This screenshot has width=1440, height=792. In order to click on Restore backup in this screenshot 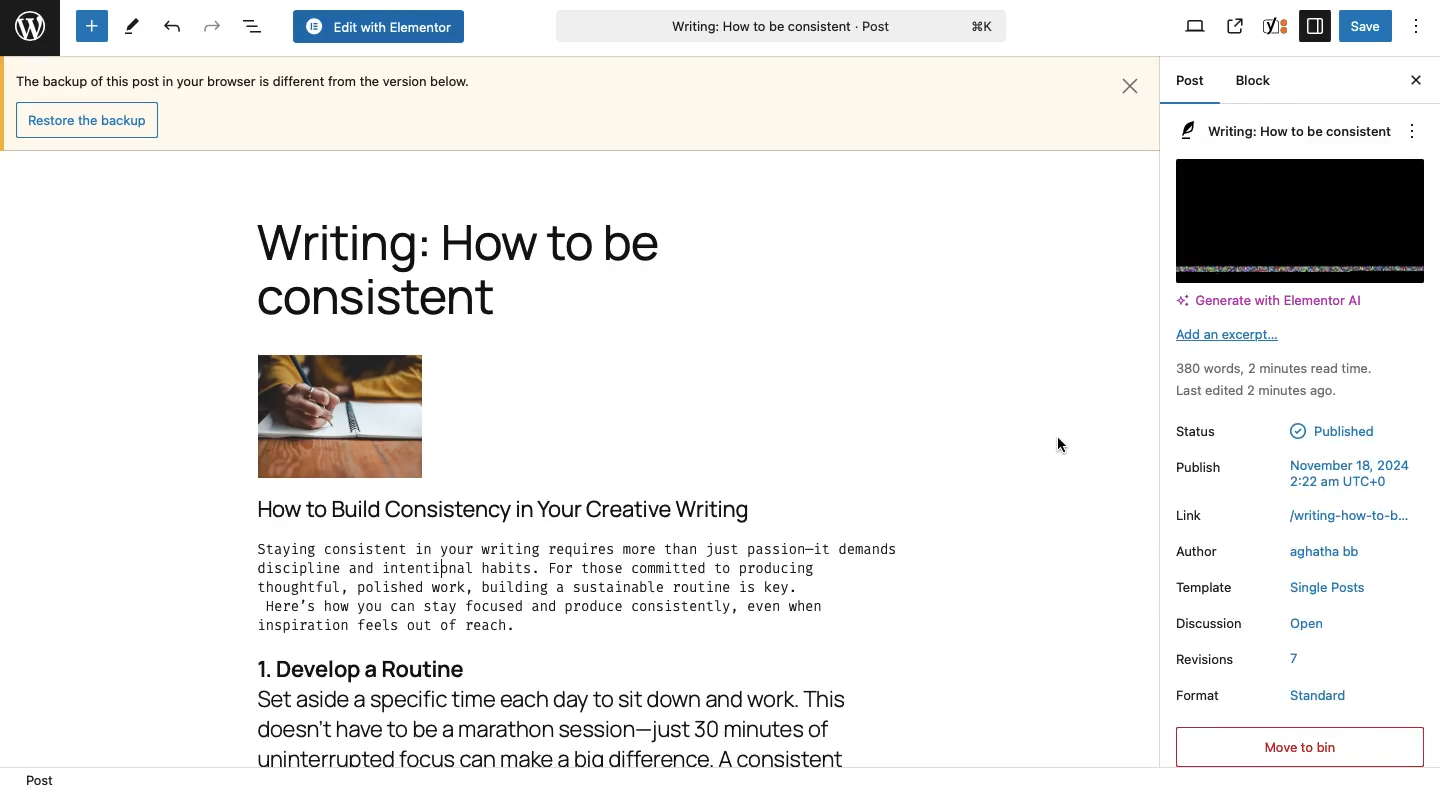, I will do `click(85, 119)`.